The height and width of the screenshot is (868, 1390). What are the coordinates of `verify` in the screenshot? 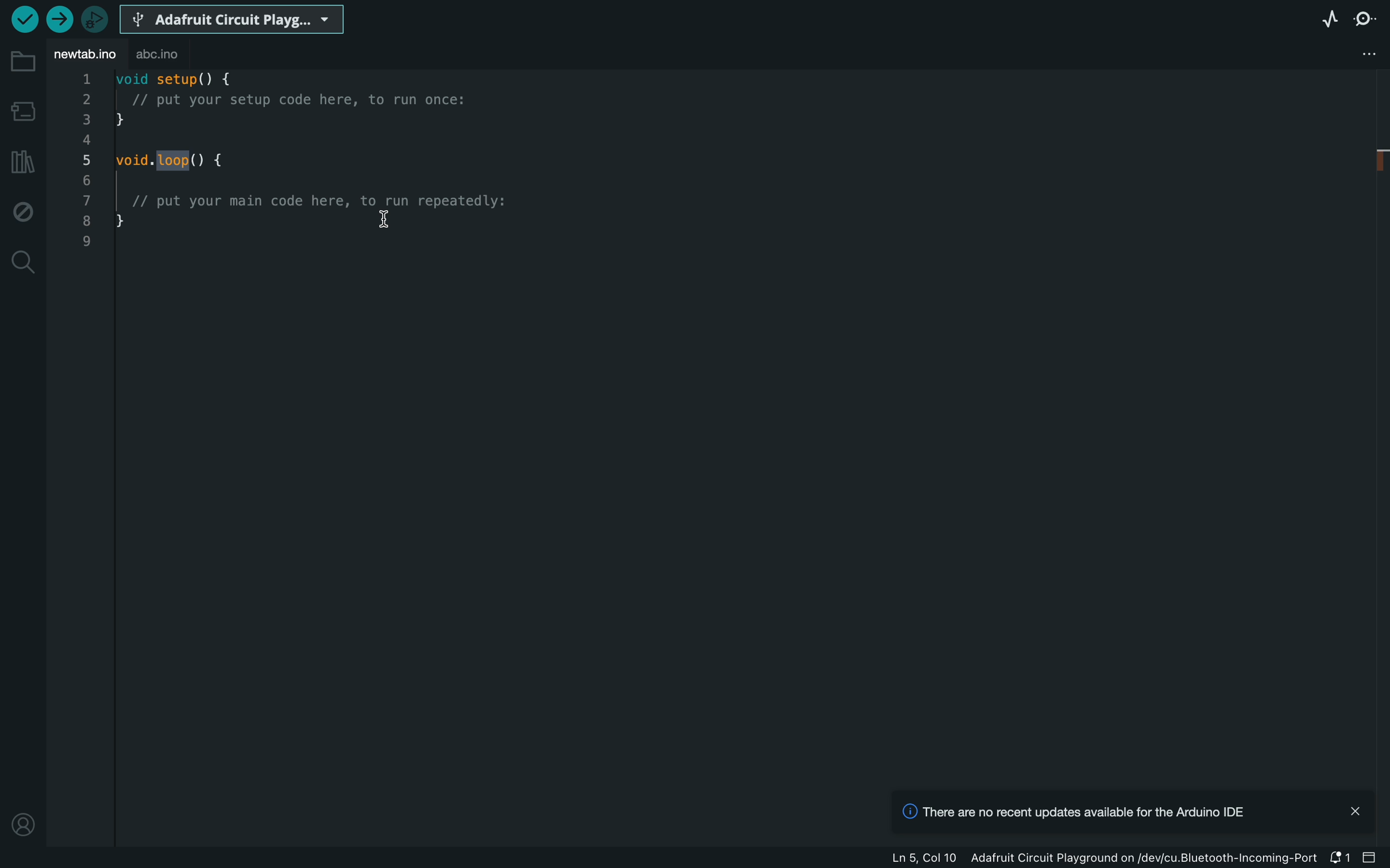 It's located at (23, 18).